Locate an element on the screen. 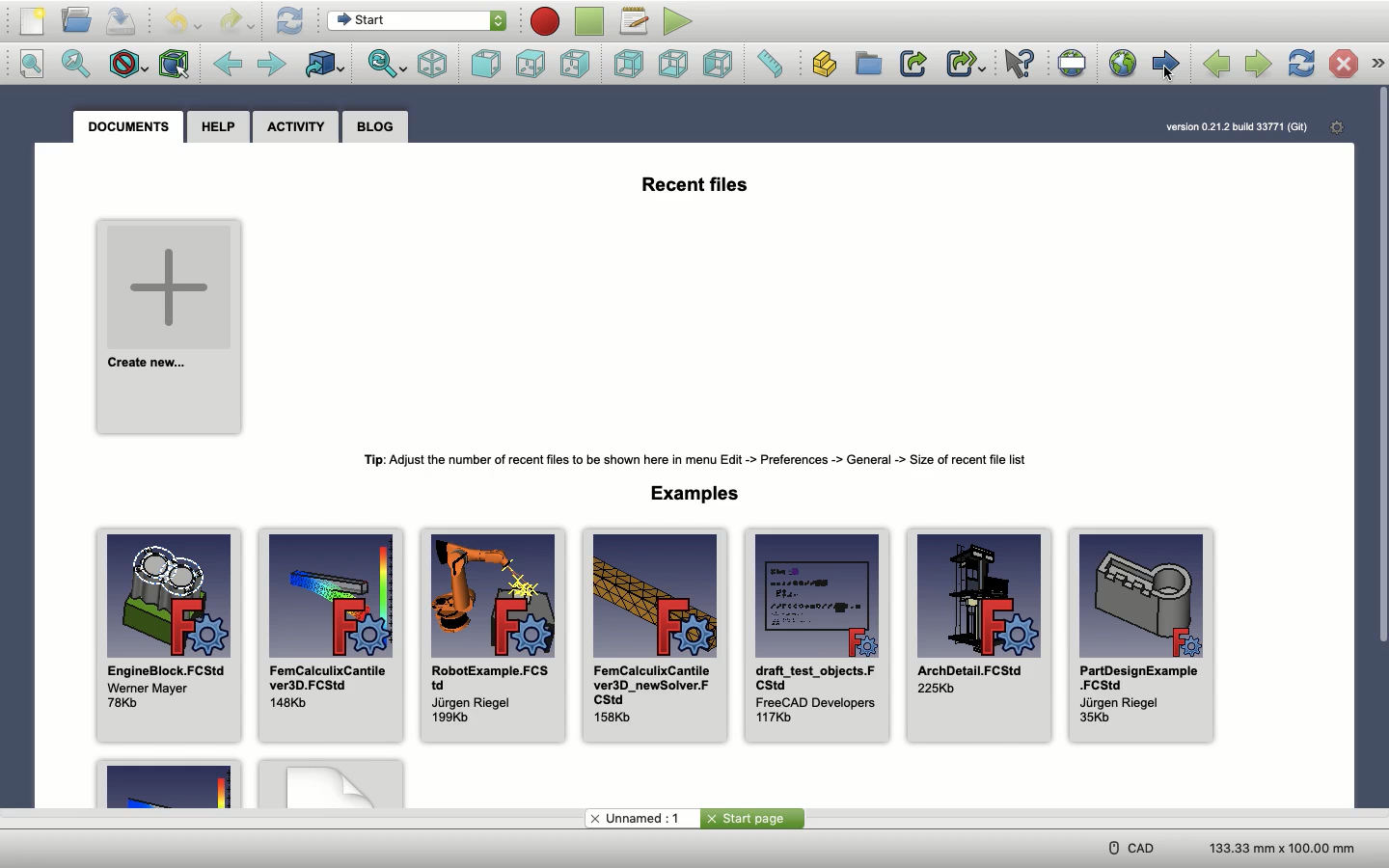 The width and height of the screenshot is (1389, 868). Isometric is located at coordinates (434, 66).